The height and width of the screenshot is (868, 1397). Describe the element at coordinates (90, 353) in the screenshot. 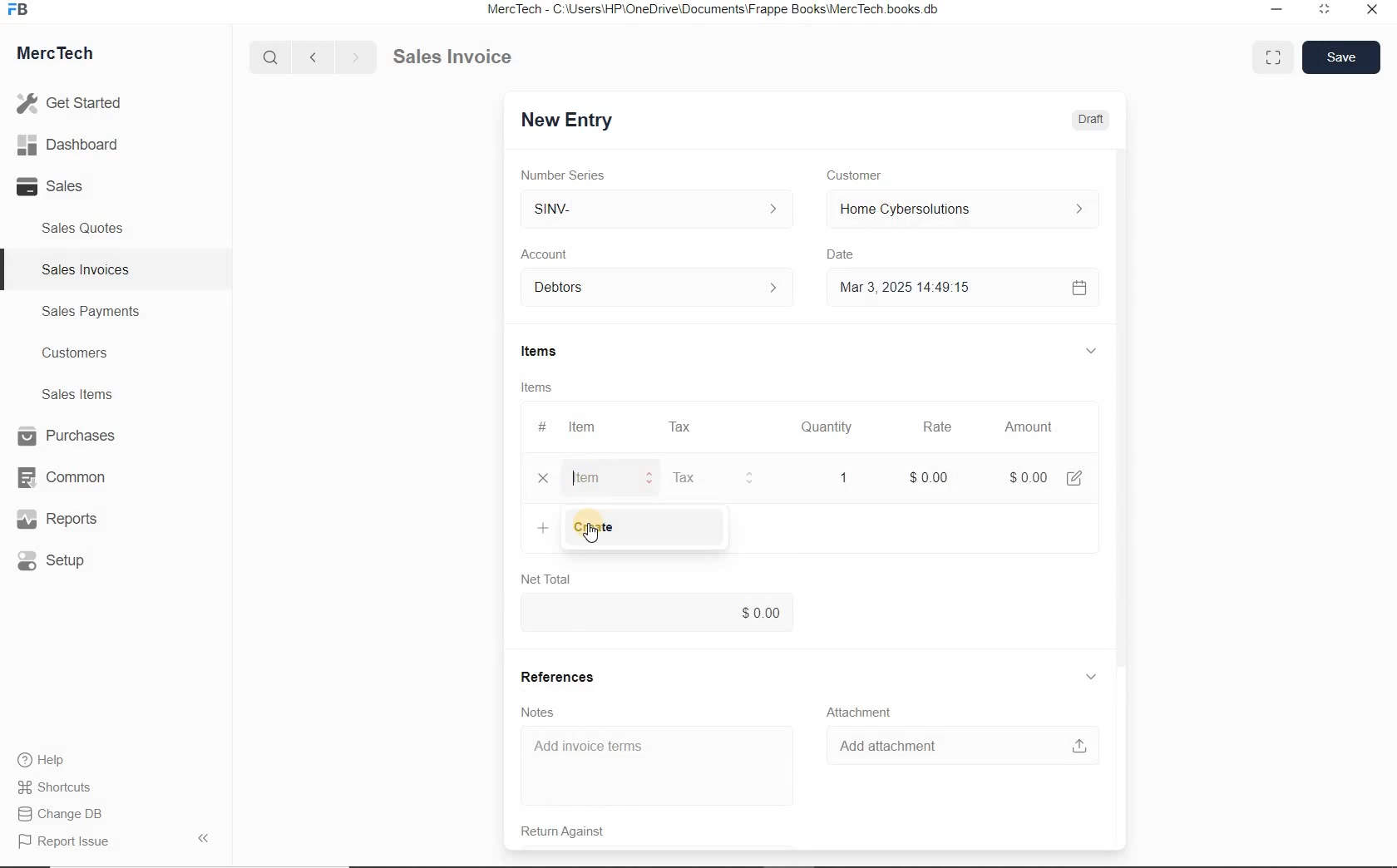

I see `Customers` at that location.